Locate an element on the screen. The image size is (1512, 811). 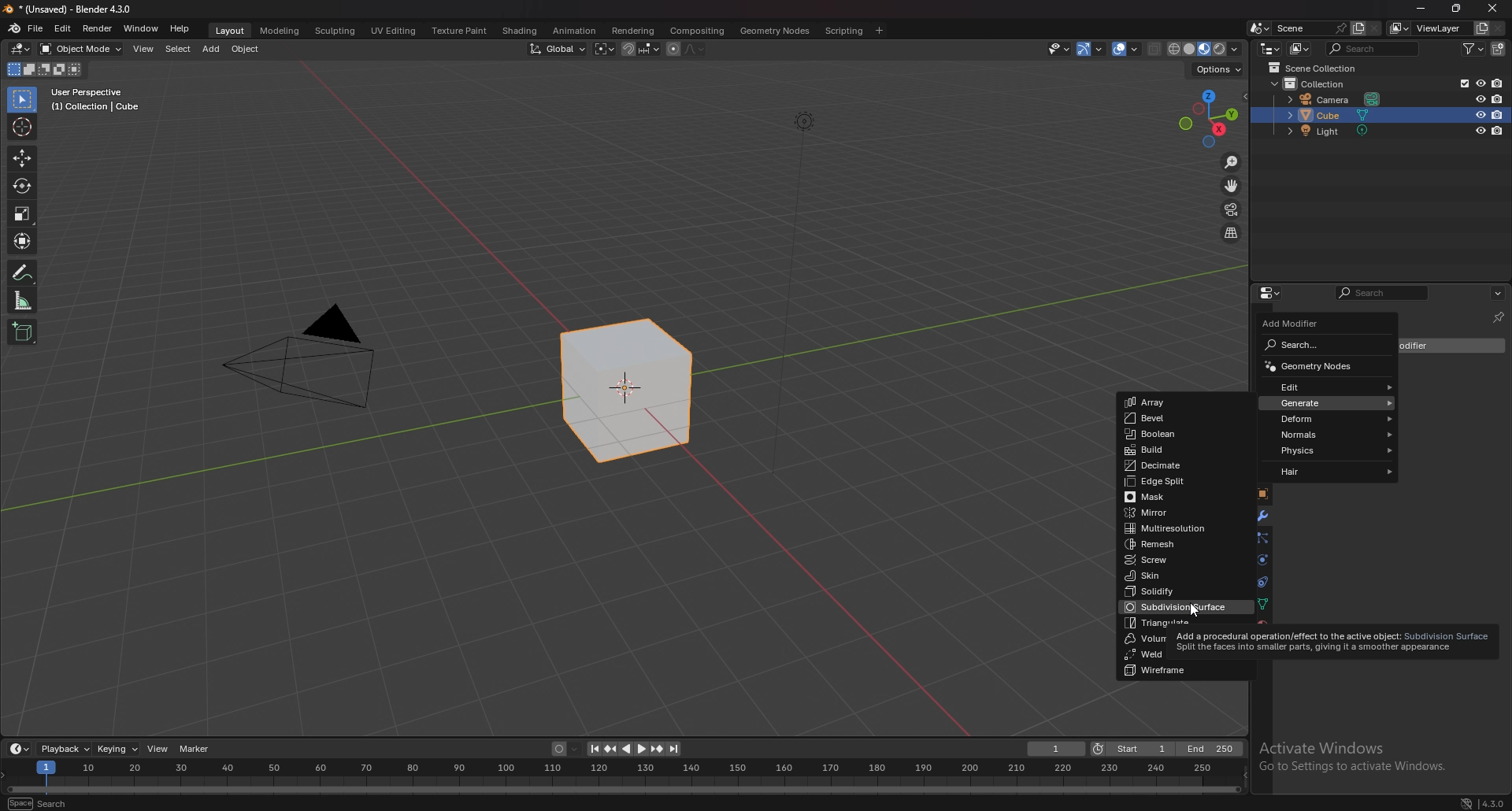
weld is located at coordinates (1142, 655).